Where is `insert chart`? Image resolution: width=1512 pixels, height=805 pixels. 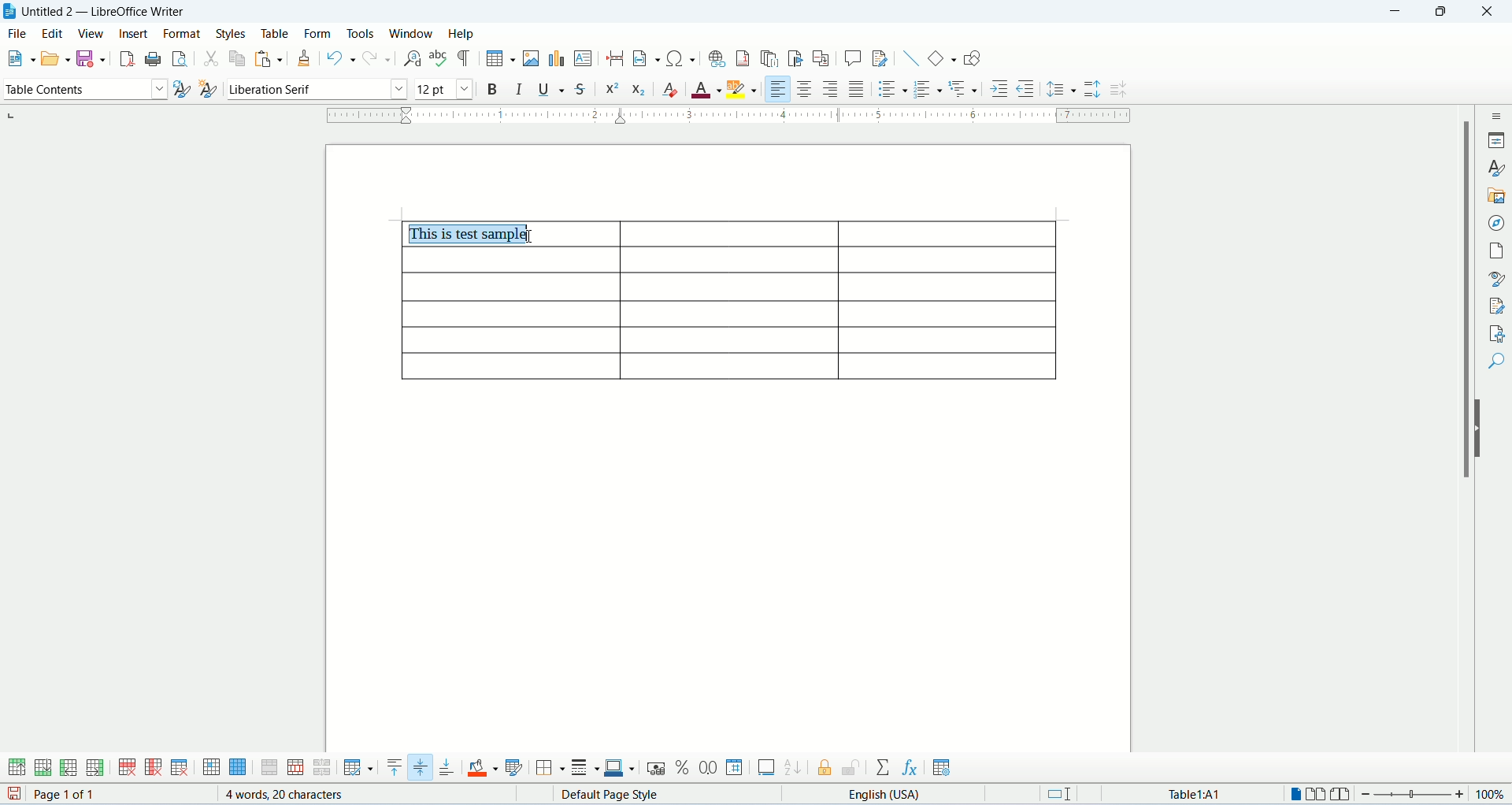
insert chart is located at coordinates (558, 58).